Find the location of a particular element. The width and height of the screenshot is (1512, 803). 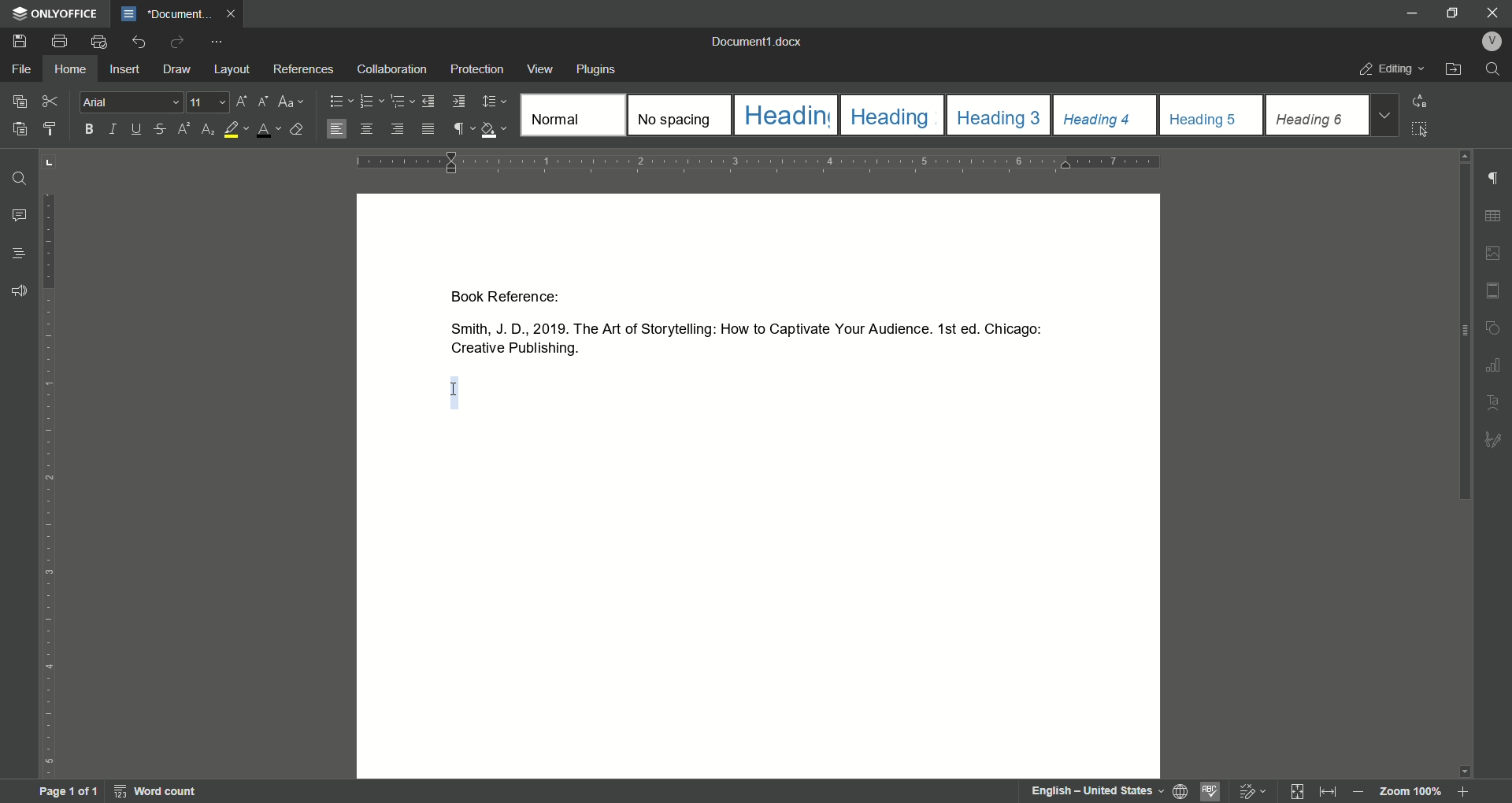

headings is located at coordinates (891, 114).